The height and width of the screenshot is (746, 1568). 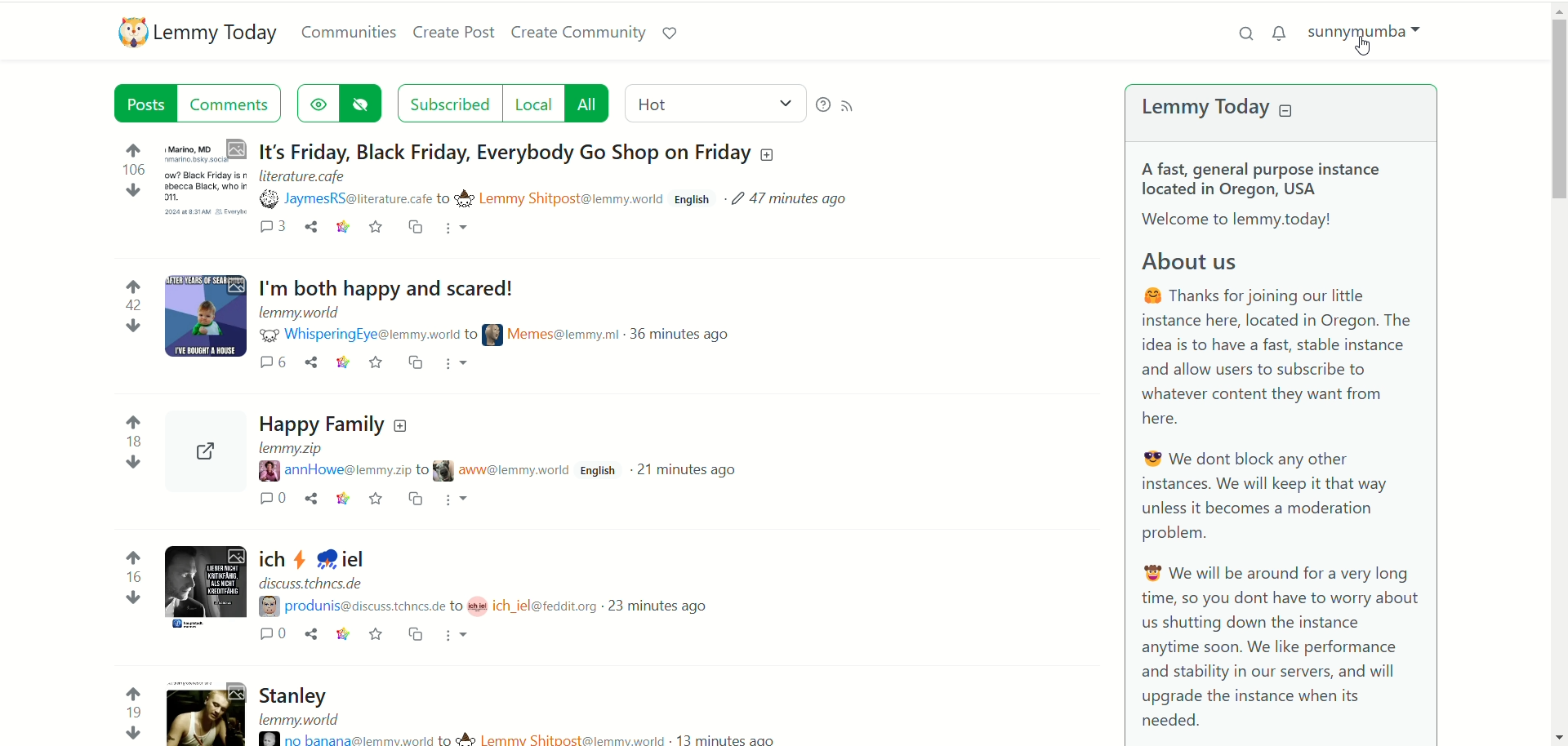 I want to click on posts, so click(x=540, y=508).